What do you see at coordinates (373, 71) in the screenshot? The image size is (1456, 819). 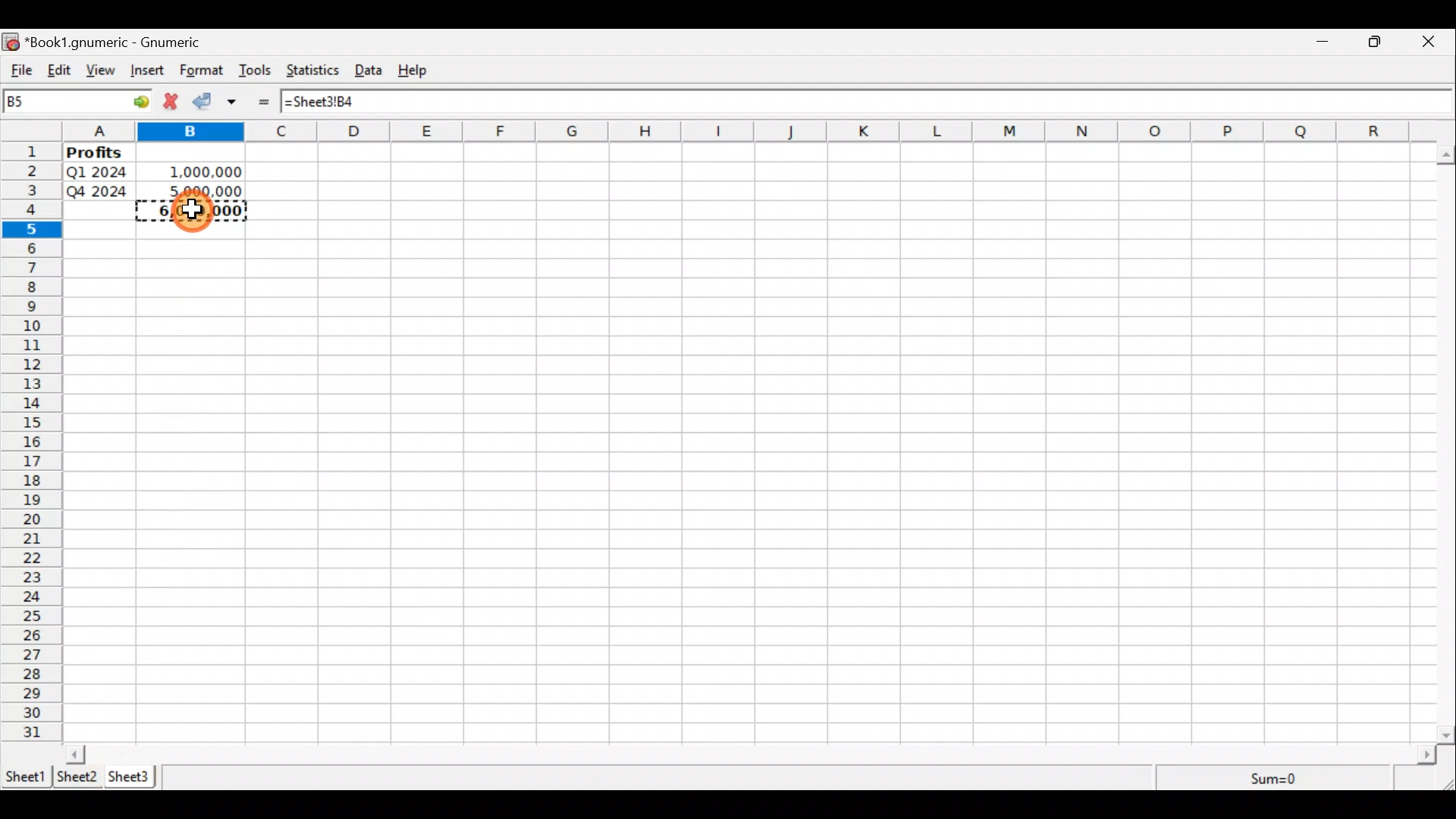 I see `Data` at bounding box center [373, 71].